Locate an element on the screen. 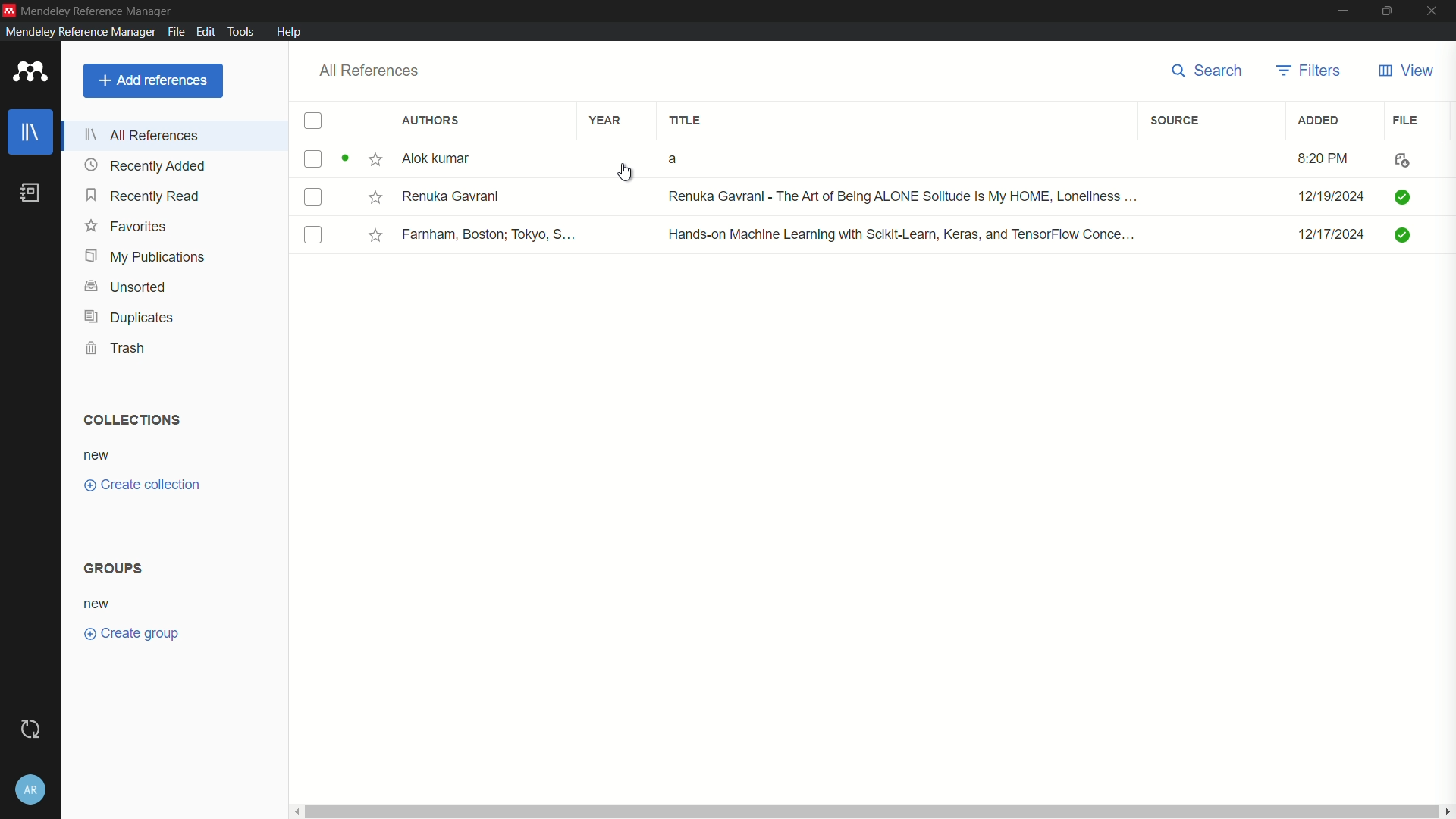 This screenshot has width=1456, height=819. all references is located at coordinates (143, 135).